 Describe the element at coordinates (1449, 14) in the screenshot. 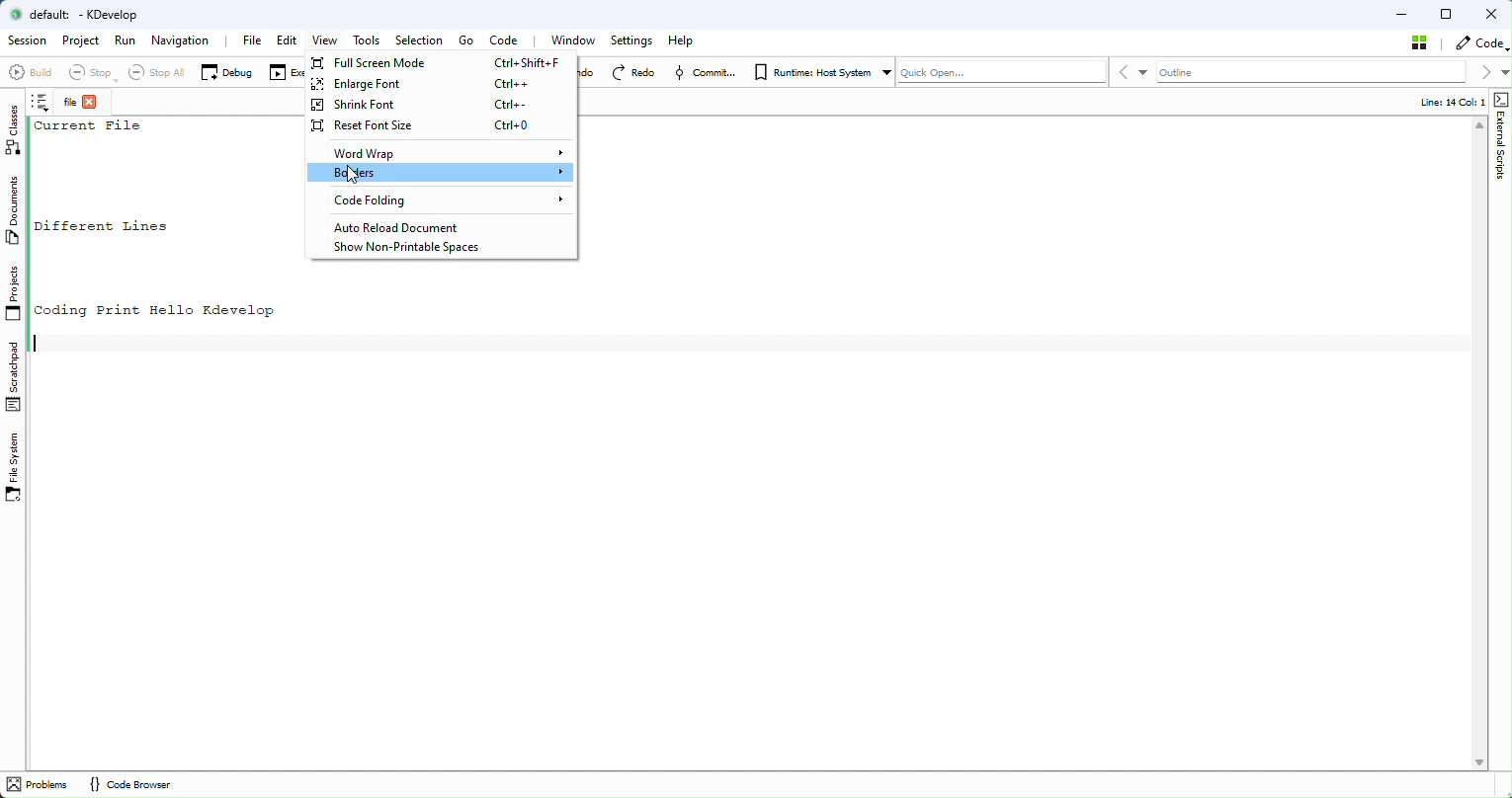

I see `Box` at that location.